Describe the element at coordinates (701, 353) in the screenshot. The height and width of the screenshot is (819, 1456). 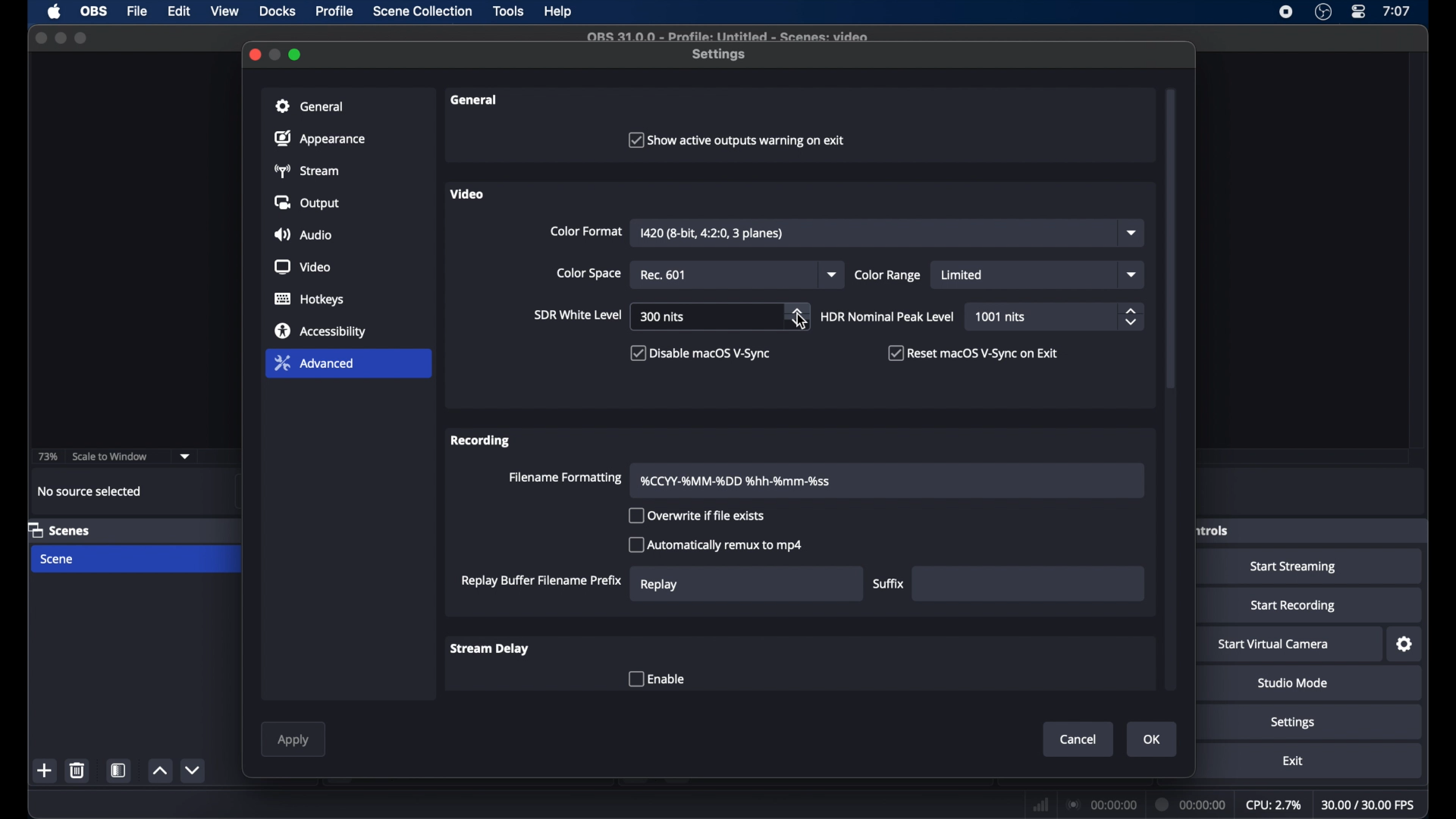
I see `checkbox` at that location.